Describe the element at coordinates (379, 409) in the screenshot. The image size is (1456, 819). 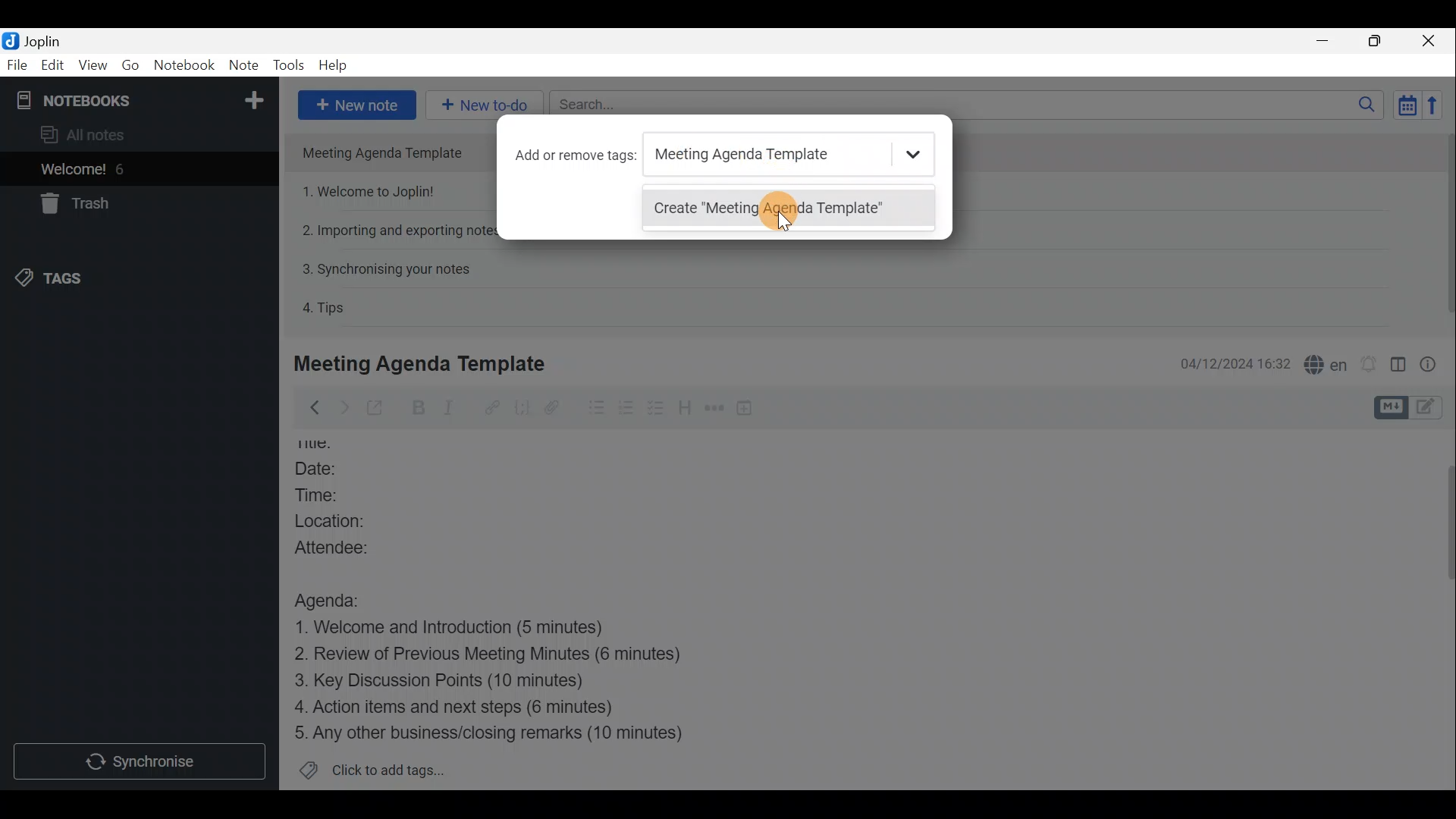
I see `Toggle external editing` at that location.